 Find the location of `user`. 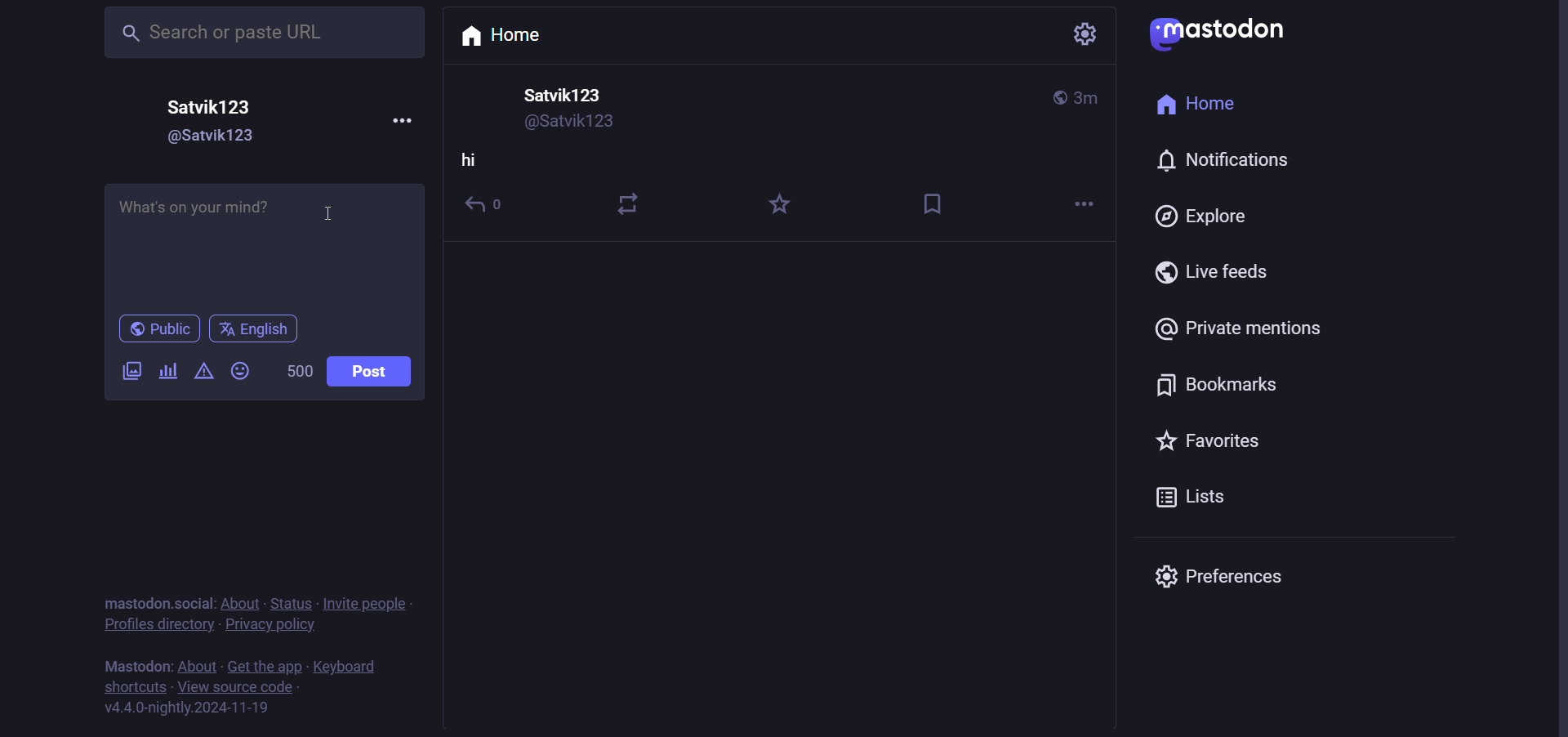

user is located at coordinates (212, 107).